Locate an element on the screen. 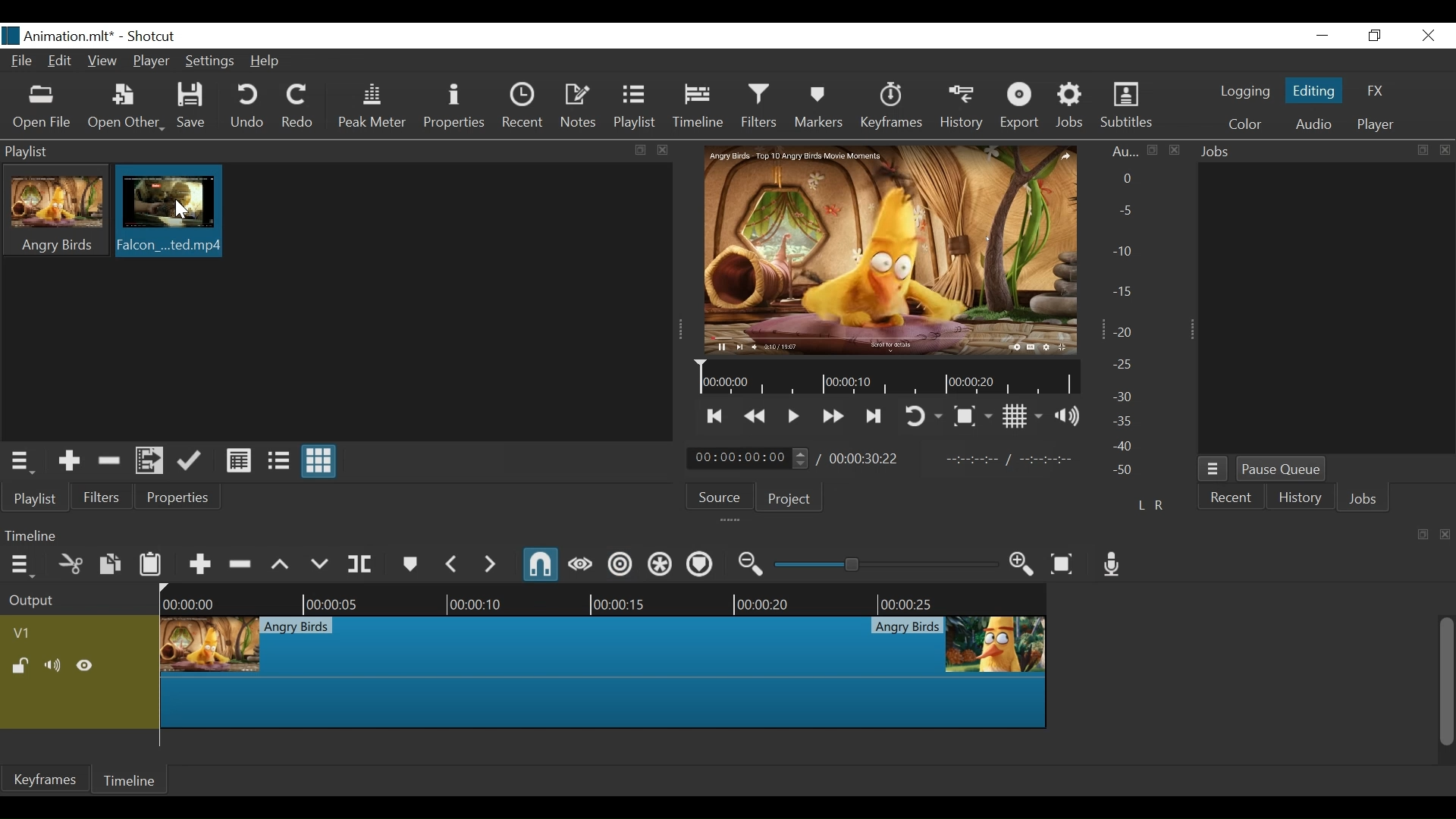 This screenshot has width=1456, height=819. FX is located at coordinates (1376, 91).